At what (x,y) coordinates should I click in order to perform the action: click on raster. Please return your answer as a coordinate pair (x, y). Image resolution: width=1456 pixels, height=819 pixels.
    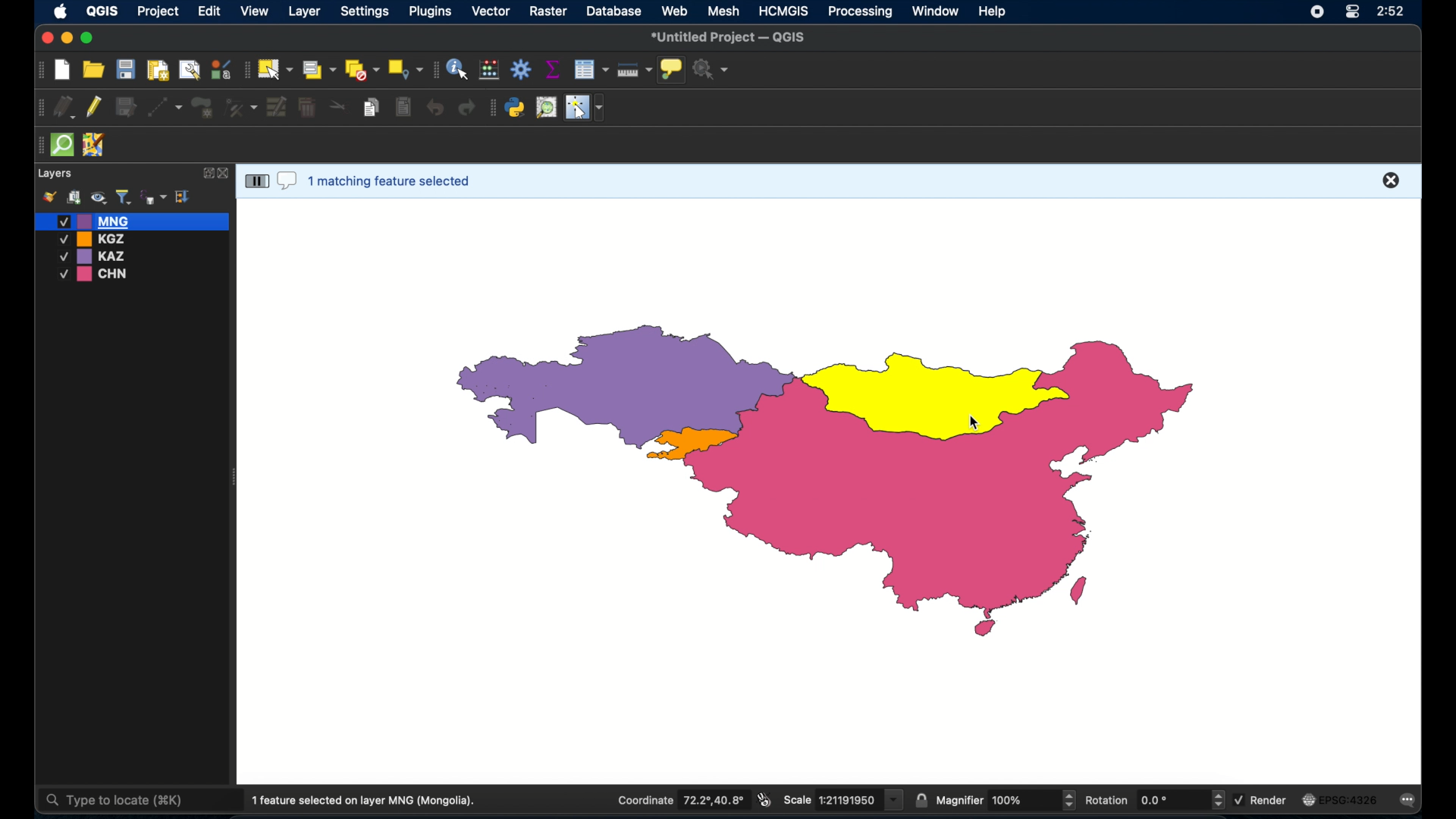
    Looking at the image, I should click on (551, 12).